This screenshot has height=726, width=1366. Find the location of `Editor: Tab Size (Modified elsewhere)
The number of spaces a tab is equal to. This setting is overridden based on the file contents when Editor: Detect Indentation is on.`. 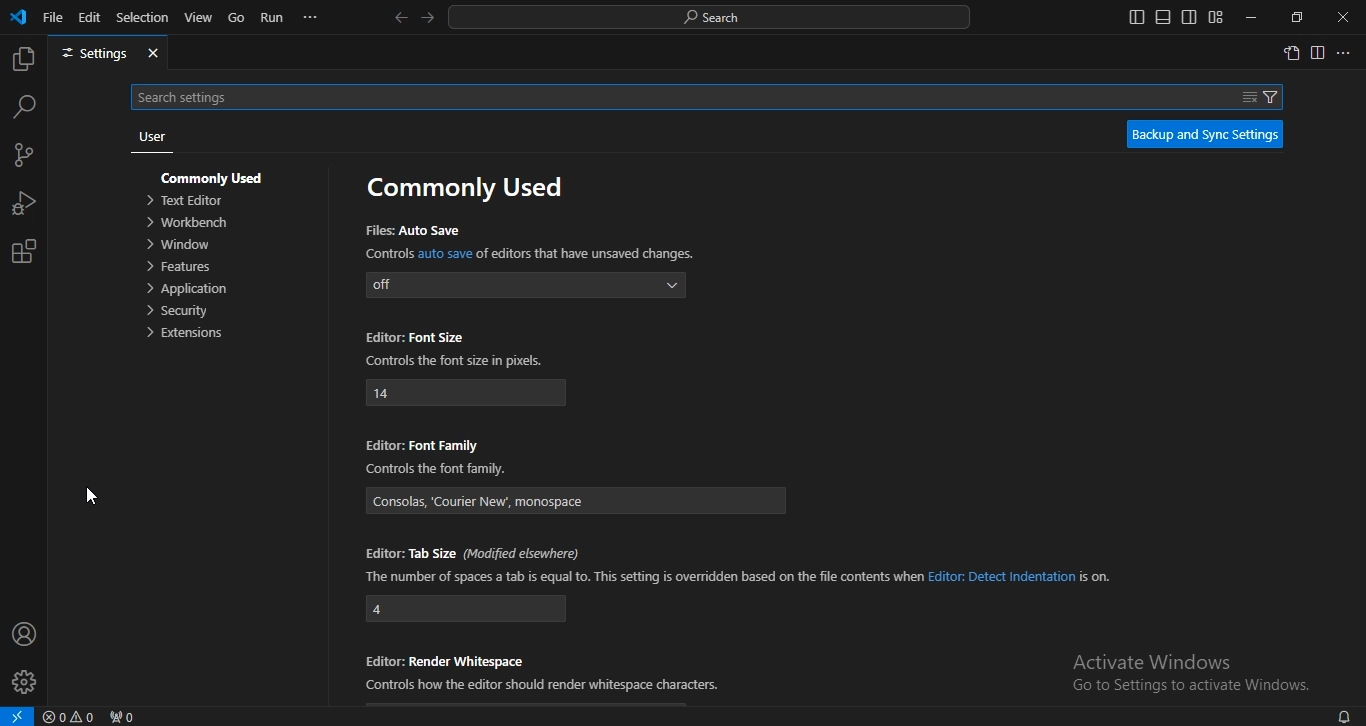

Editor: Tab Size (Modified elsewhere)
The number of spaces a tab is equal to. This setting is overridden based on the file contents when Editor: Detect Indentation is on. is located at coordinates (746, 564).